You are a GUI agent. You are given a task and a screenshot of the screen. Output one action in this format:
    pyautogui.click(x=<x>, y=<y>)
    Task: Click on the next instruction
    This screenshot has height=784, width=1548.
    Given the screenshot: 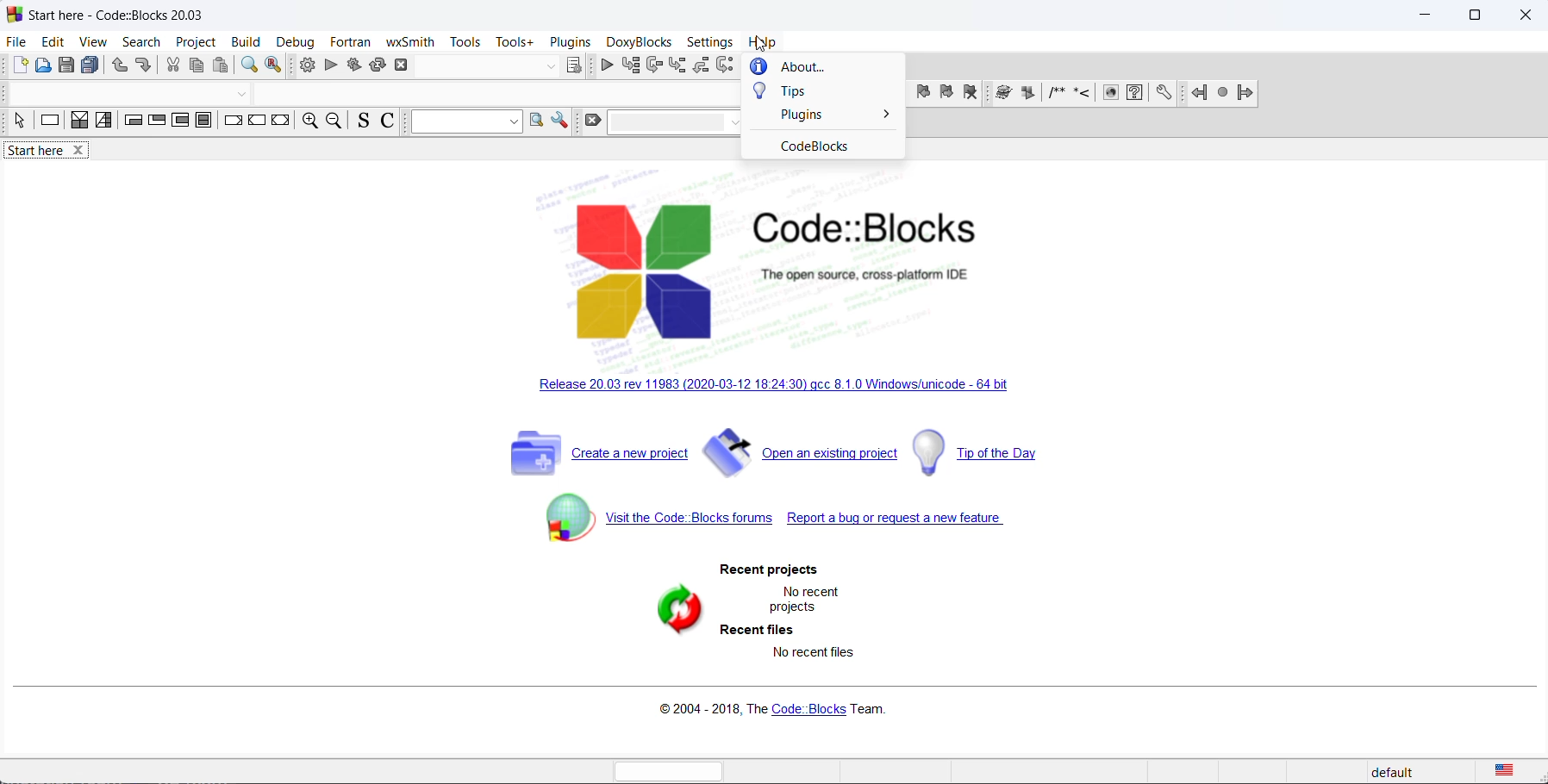 What is the action you would take?
    pyautogui.click(x=723, y=65)
    